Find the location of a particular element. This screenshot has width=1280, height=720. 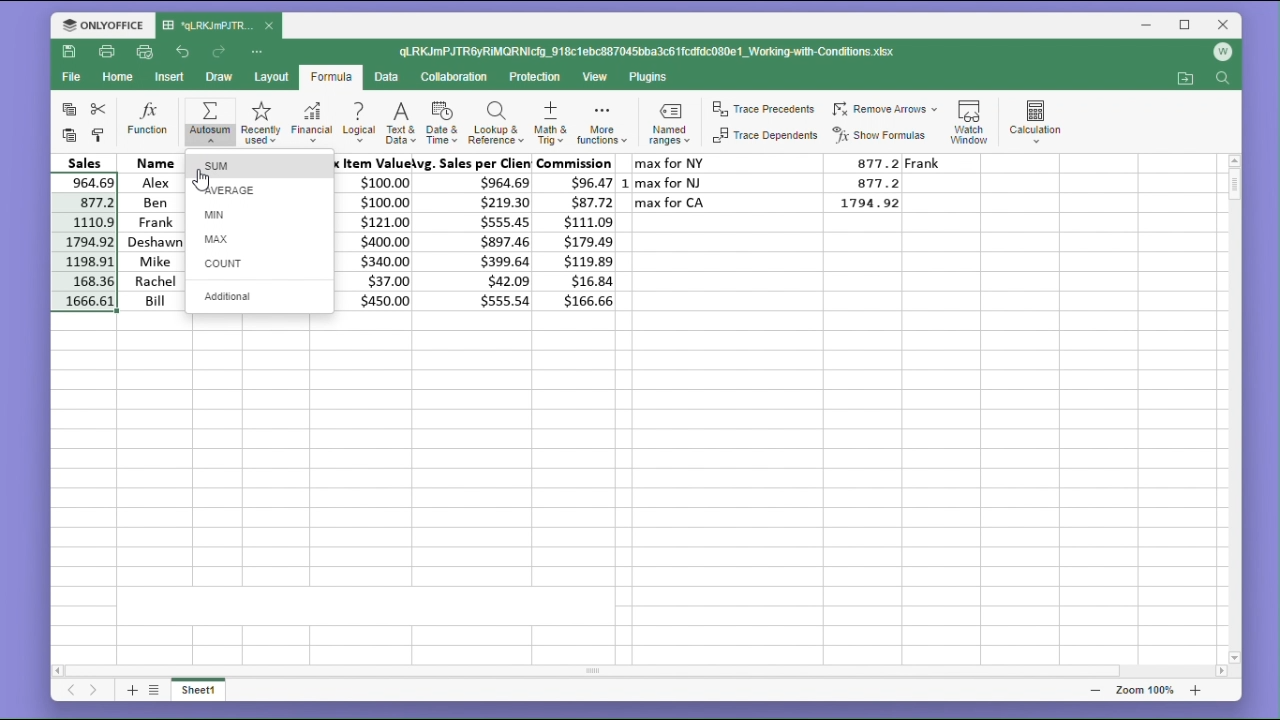

format painter is located at coordinates (100, 134).